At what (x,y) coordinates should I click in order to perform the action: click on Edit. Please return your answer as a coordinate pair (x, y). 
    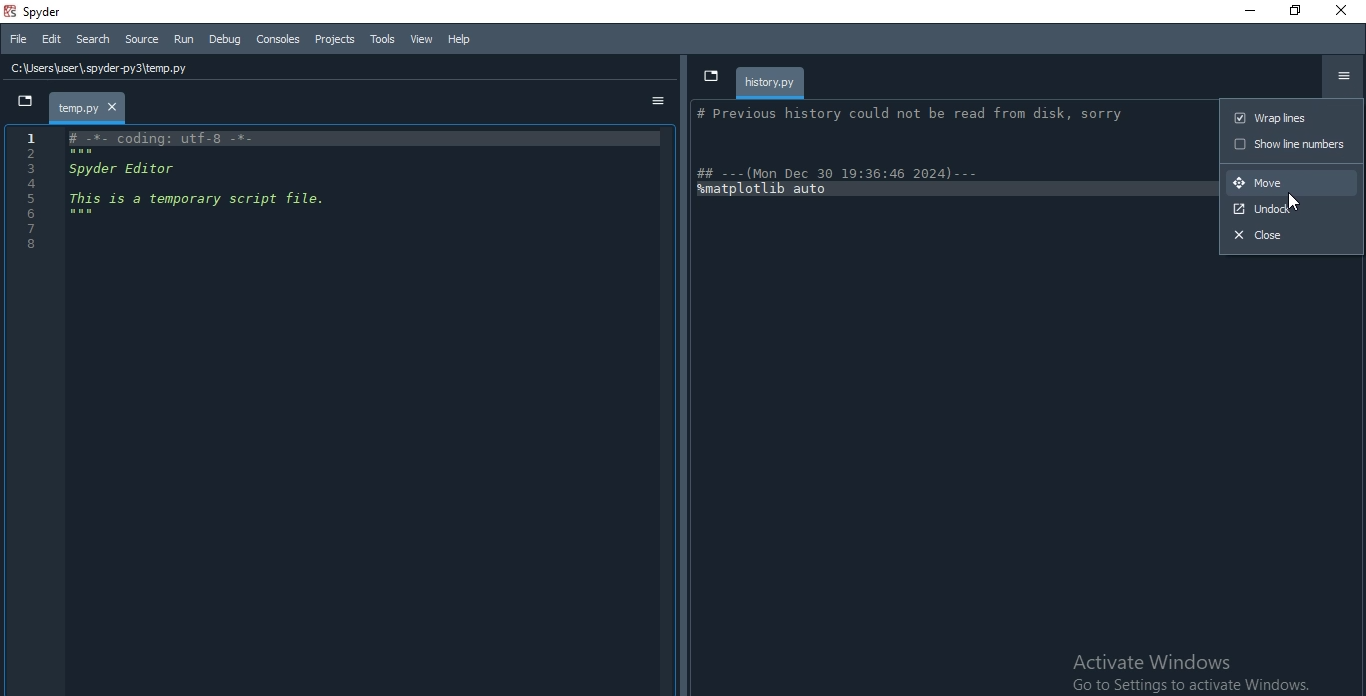
    Looking at the image, I should click on (50, 41).